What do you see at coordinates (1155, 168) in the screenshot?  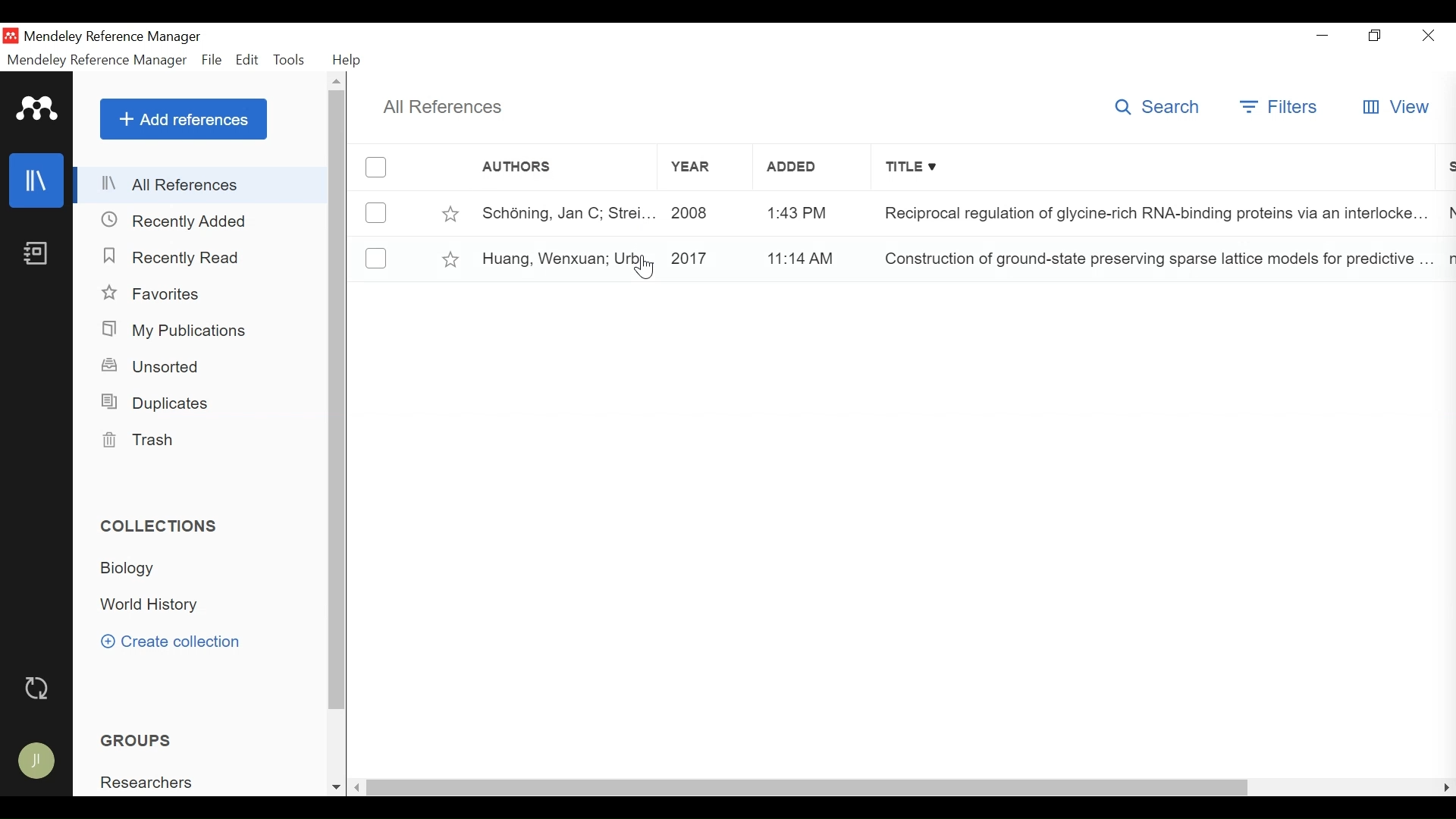 I see `Title` at bounding box center [1155, 168].